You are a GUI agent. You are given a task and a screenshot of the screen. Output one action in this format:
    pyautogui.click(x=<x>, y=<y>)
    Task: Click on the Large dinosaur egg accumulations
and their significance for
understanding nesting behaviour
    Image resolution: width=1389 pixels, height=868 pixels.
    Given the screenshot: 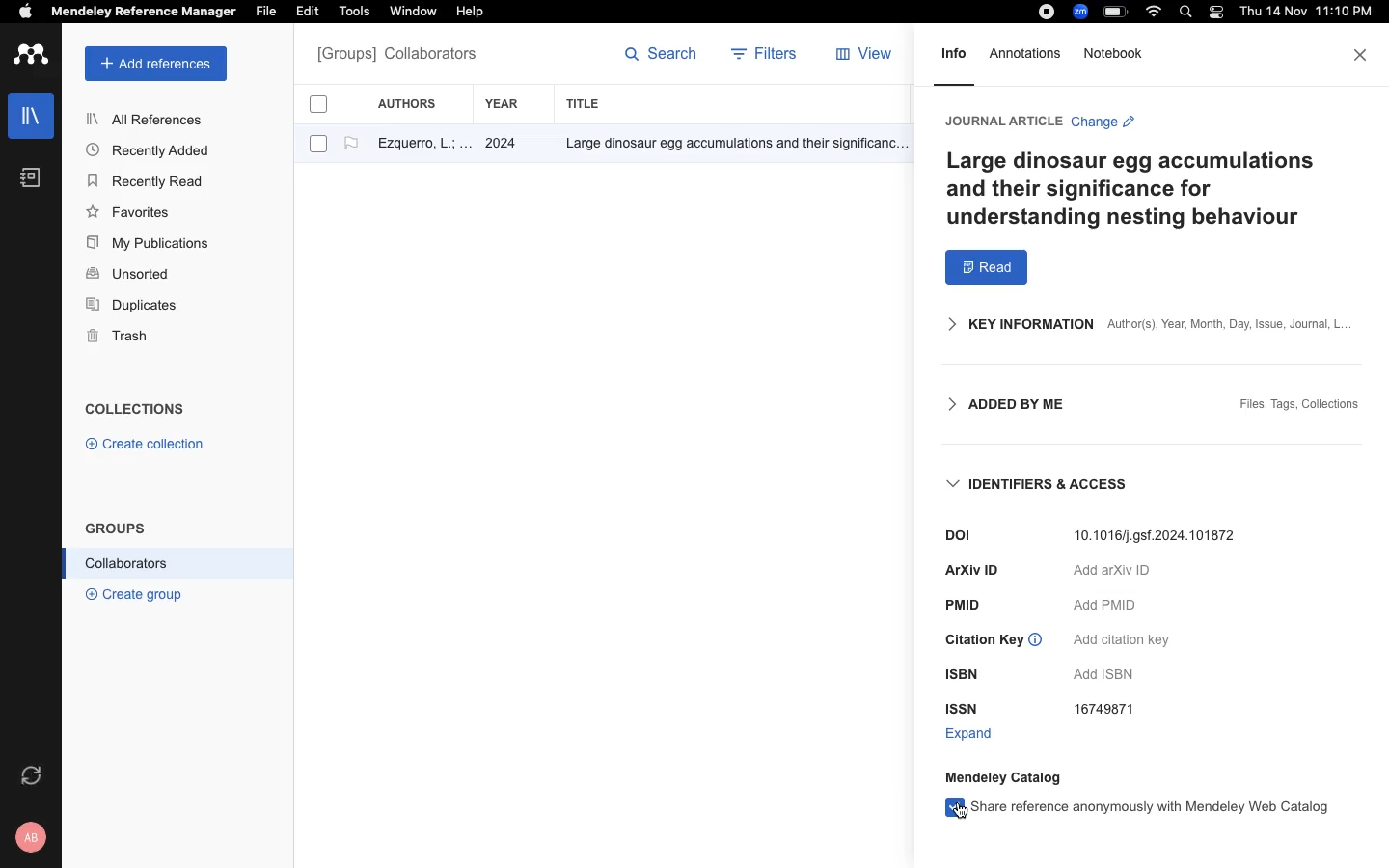 What is the action you would take?
    pyautogui.click(x=1137, y=189)
    